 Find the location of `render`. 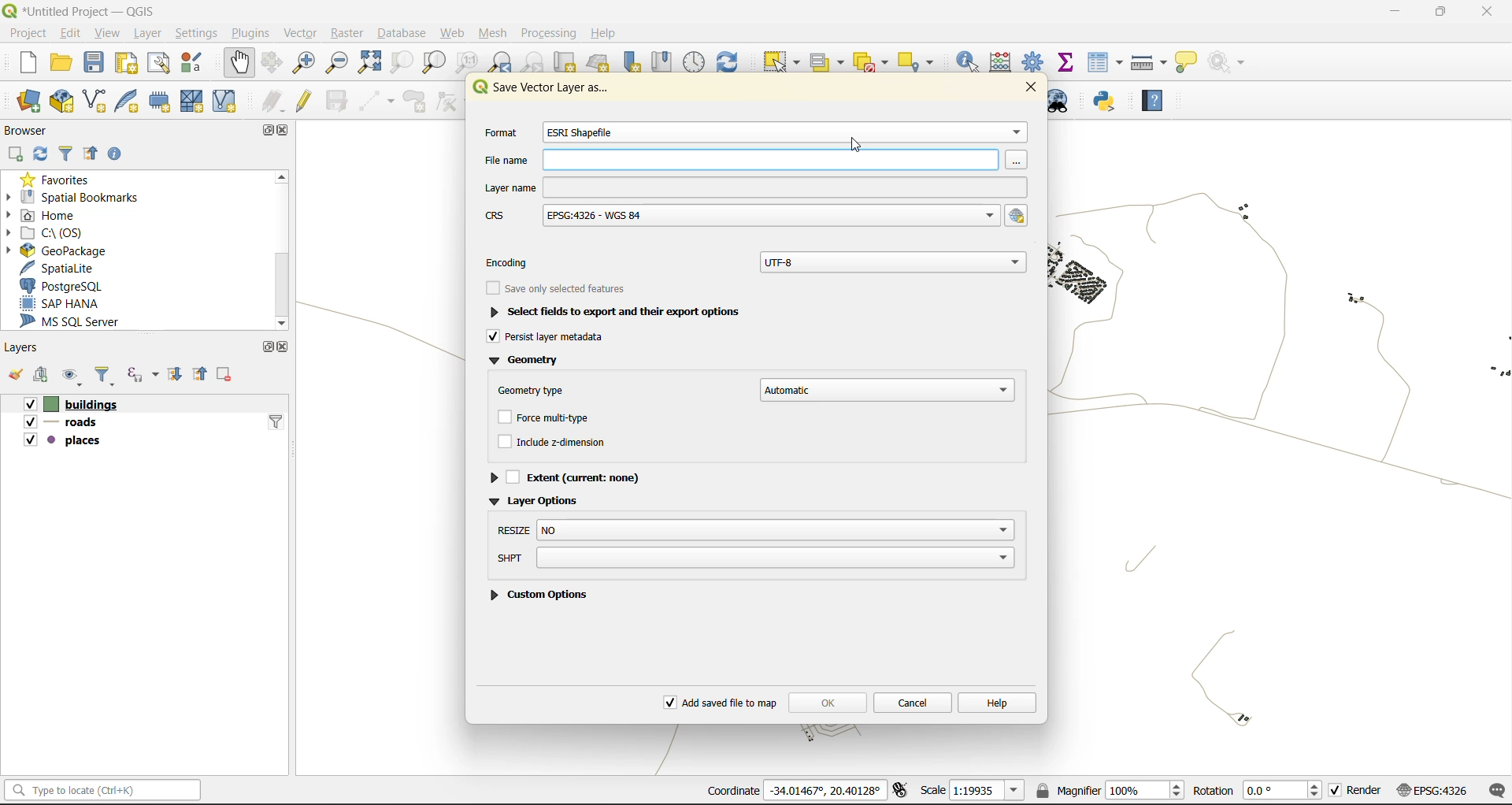

render is located at coordinates (1357, 791).